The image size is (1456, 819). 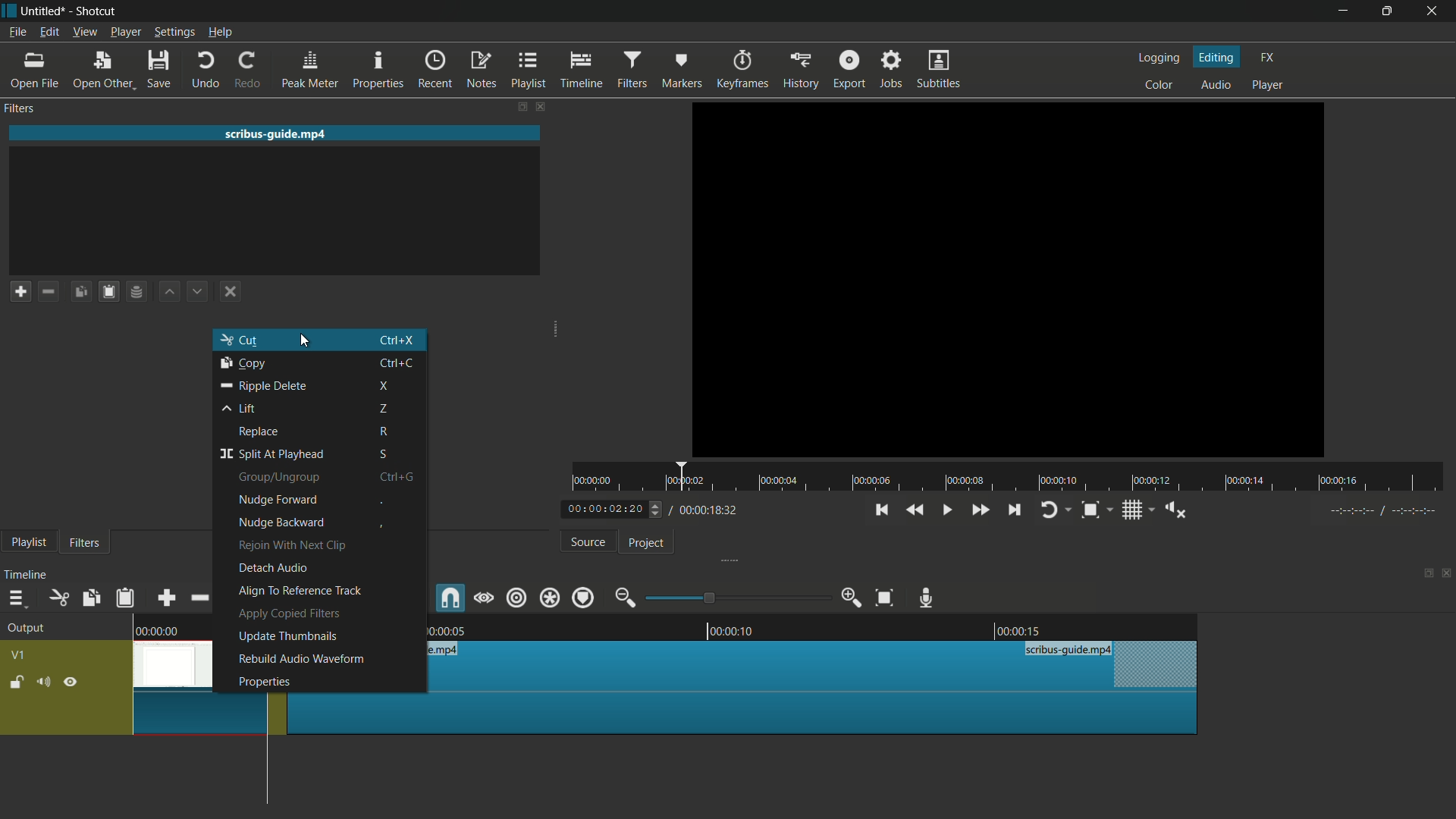 I want to click on keyboard shortcut, so click(x=384, y=454).